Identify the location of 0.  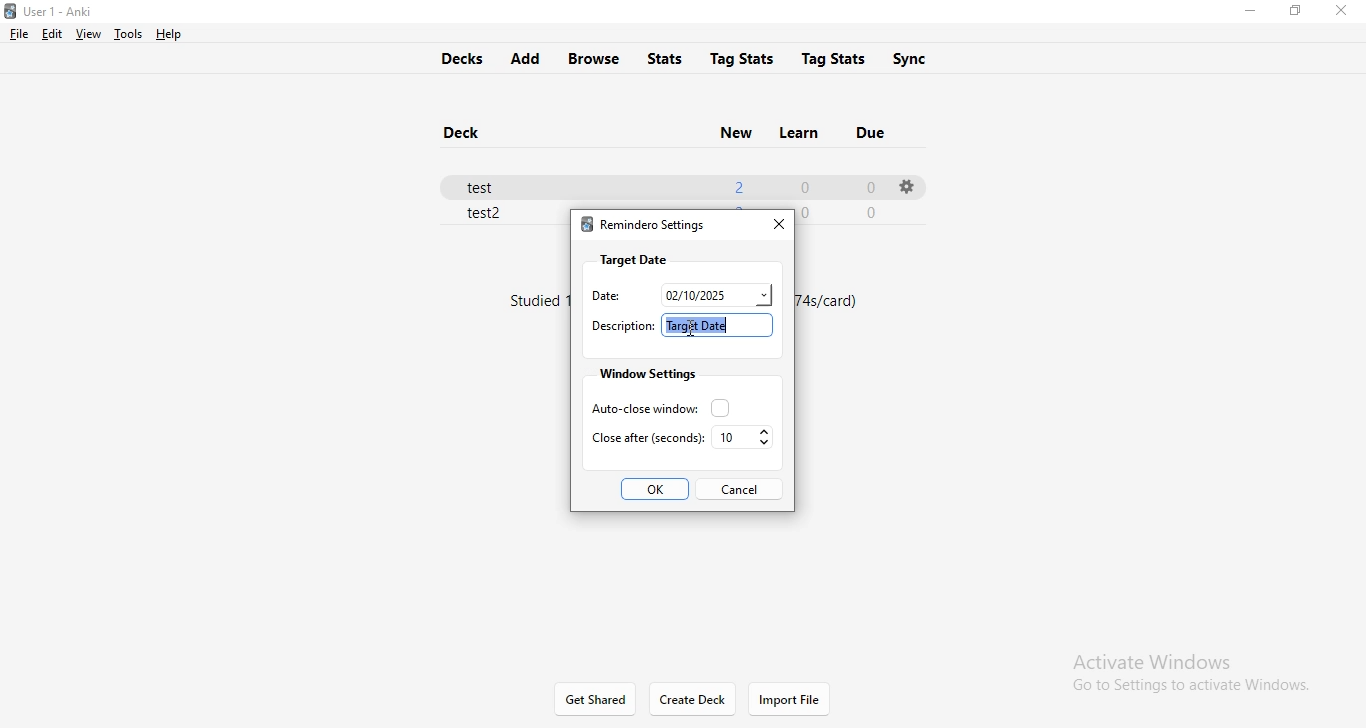
(874, 212).